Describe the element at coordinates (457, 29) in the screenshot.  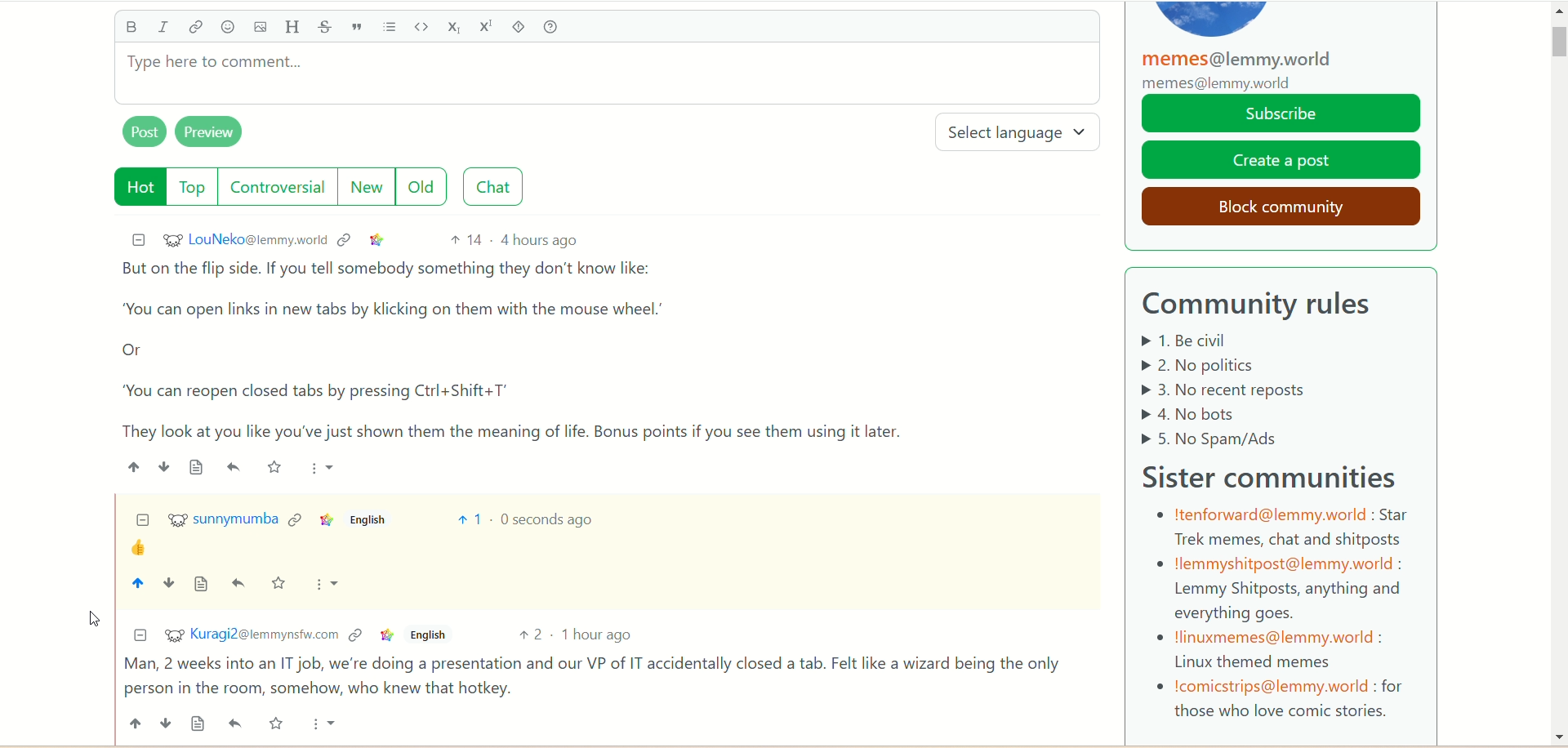
I see `subscript` at that location.